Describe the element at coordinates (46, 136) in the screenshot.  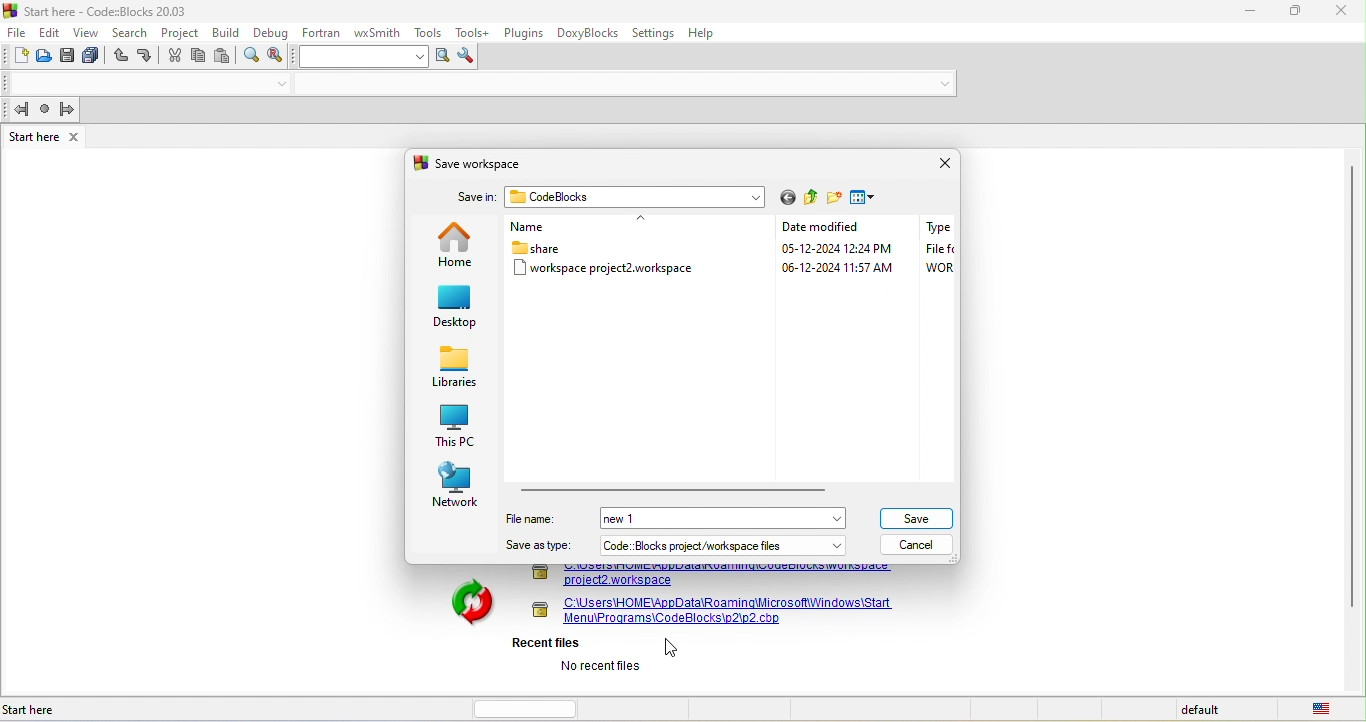
I see `start here` at that location.